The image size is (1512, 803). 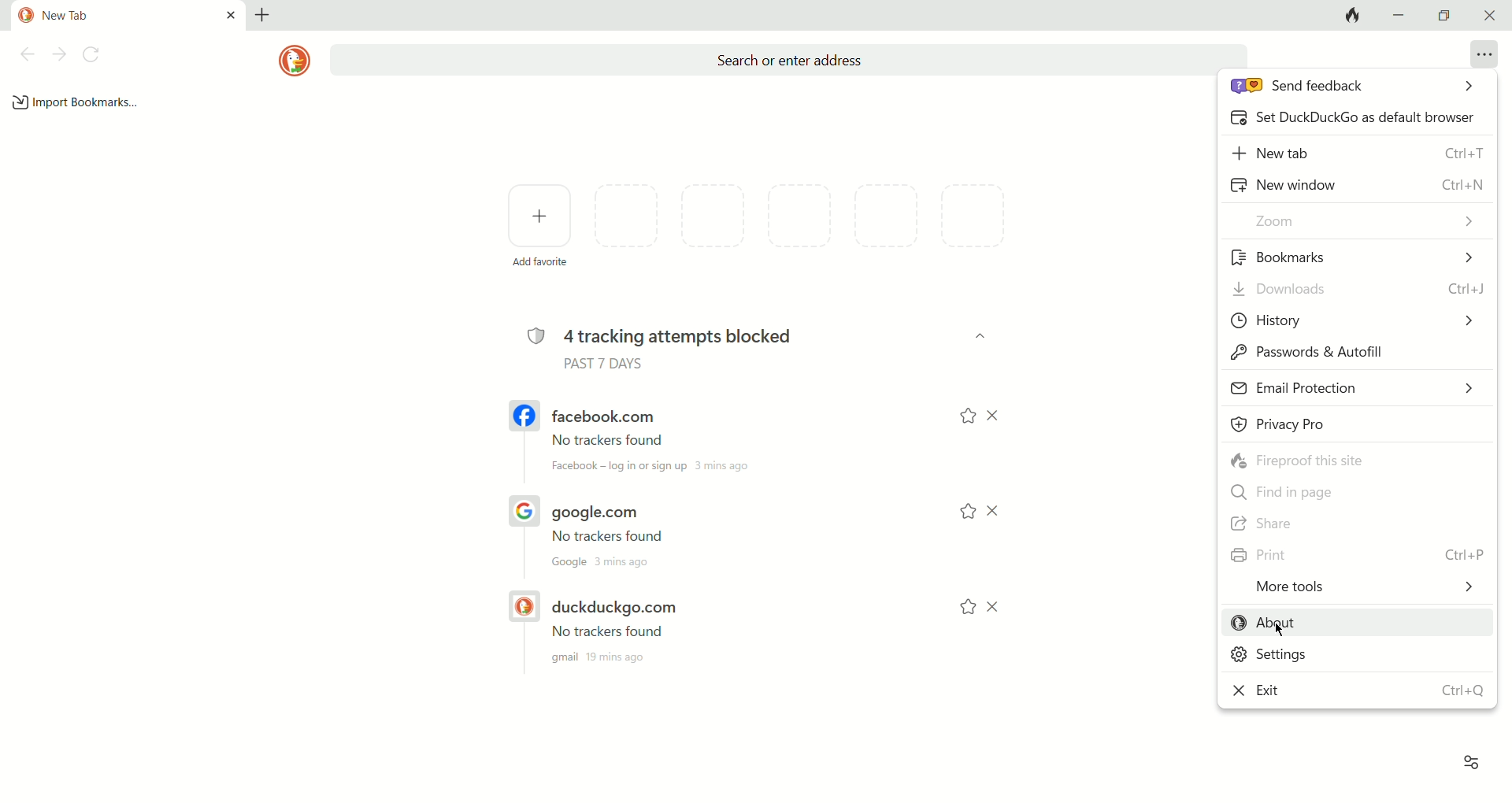 I want to click on previous, so click(x=27, y=54).